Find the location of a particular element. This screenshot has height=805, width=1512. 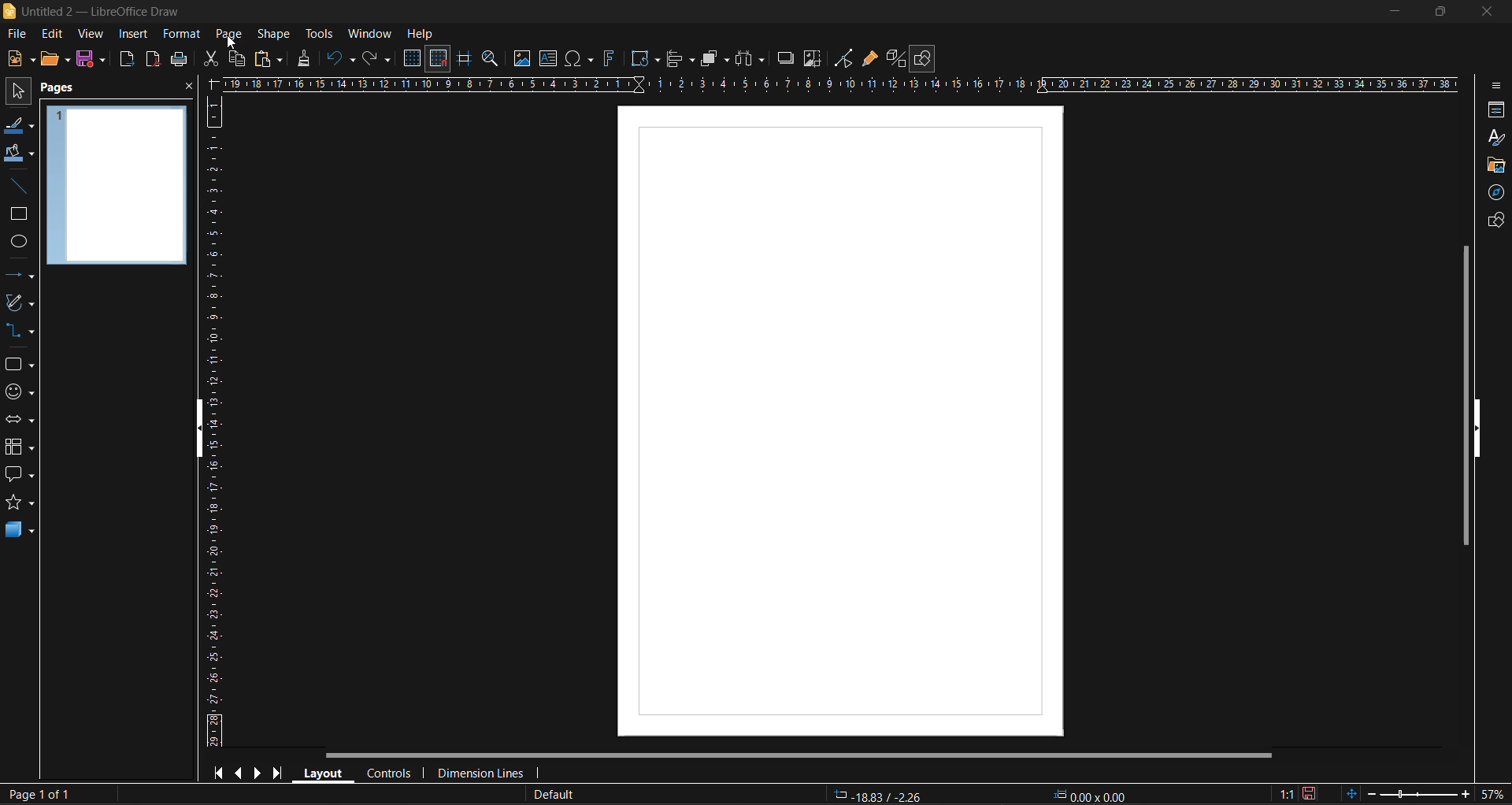

slide master name is located at coordinates (558, 795).